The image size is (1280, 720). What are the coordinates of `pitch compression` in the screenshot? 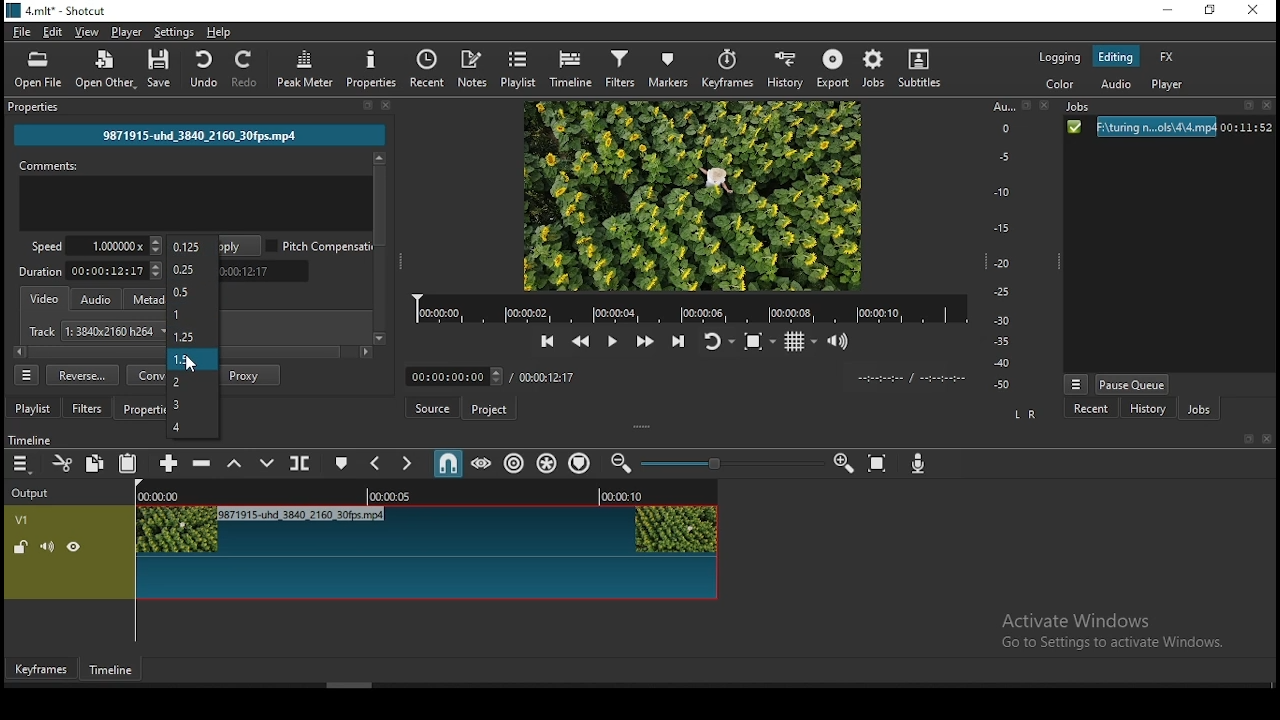 It's located at (322, 245).